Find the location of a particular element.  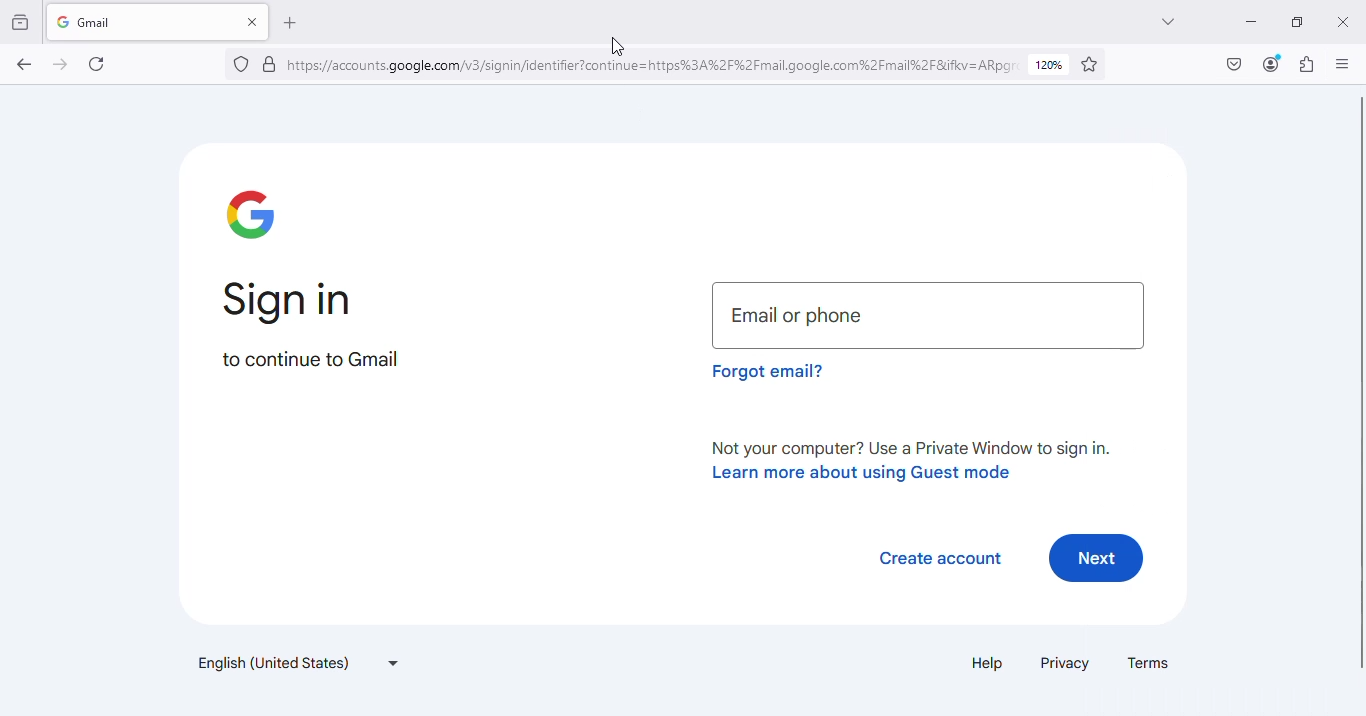

view recent browsing across windows and devices is located at coordinates (21, 22).